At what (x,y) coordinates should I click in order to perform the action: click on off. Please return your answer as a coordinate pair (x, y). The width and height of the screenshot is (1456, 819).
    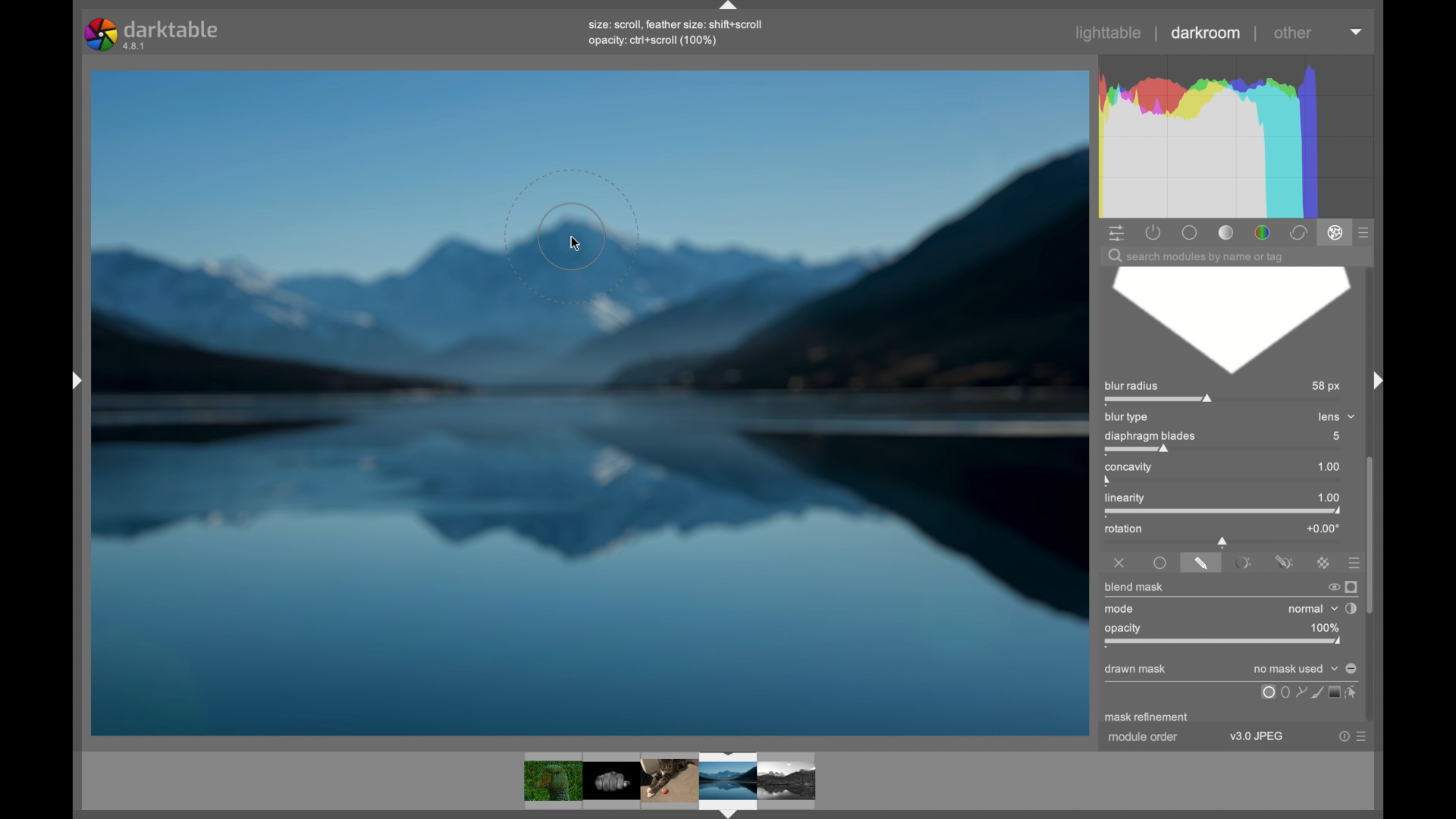
    Looking at the image, I should click on (1119, 560).